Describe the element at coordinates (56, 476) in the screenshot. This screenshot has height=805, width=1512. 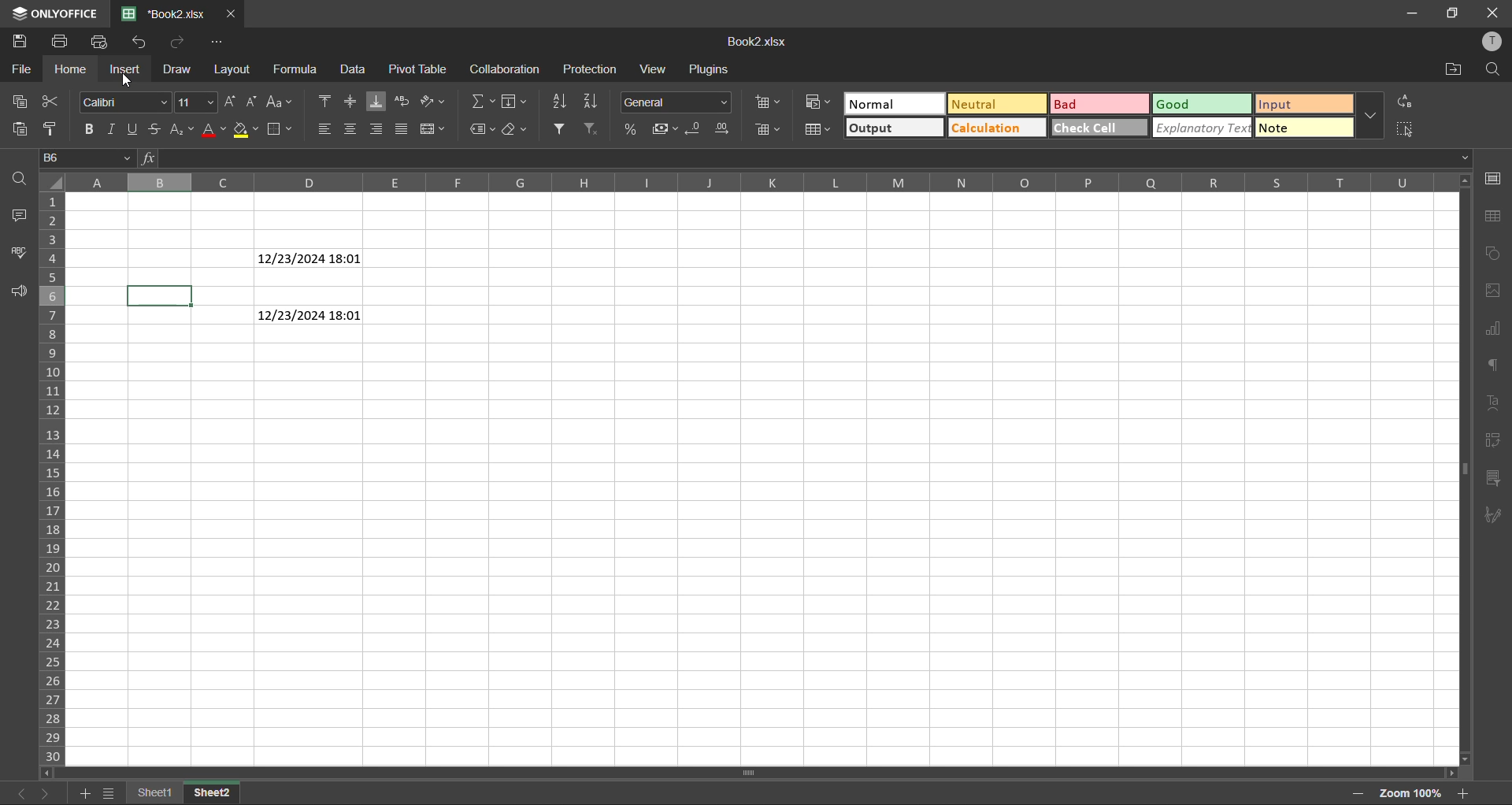
I see `row numbers` at that location.